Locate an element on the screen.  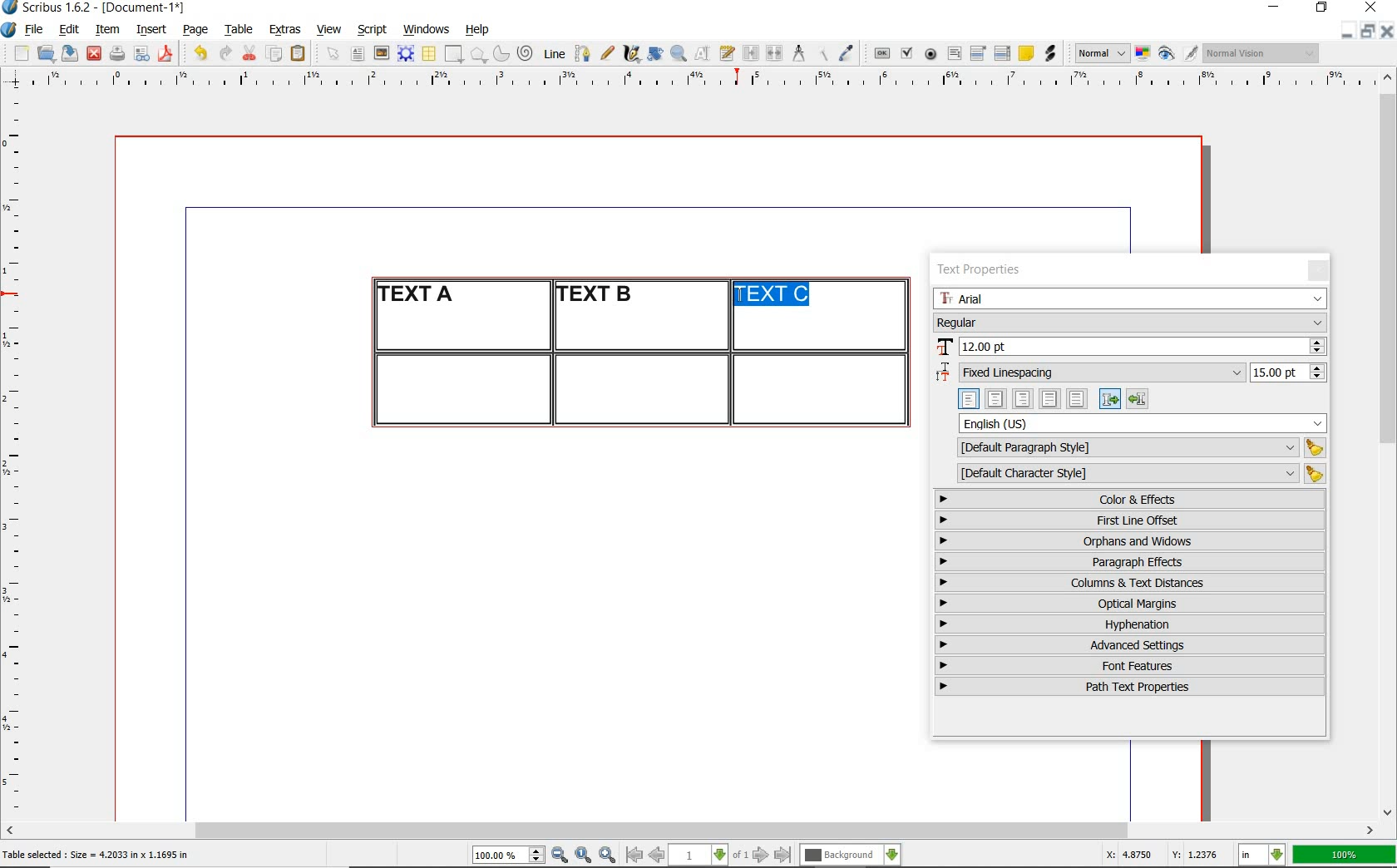
default paragraph style is located at coordinates (1138, 448).